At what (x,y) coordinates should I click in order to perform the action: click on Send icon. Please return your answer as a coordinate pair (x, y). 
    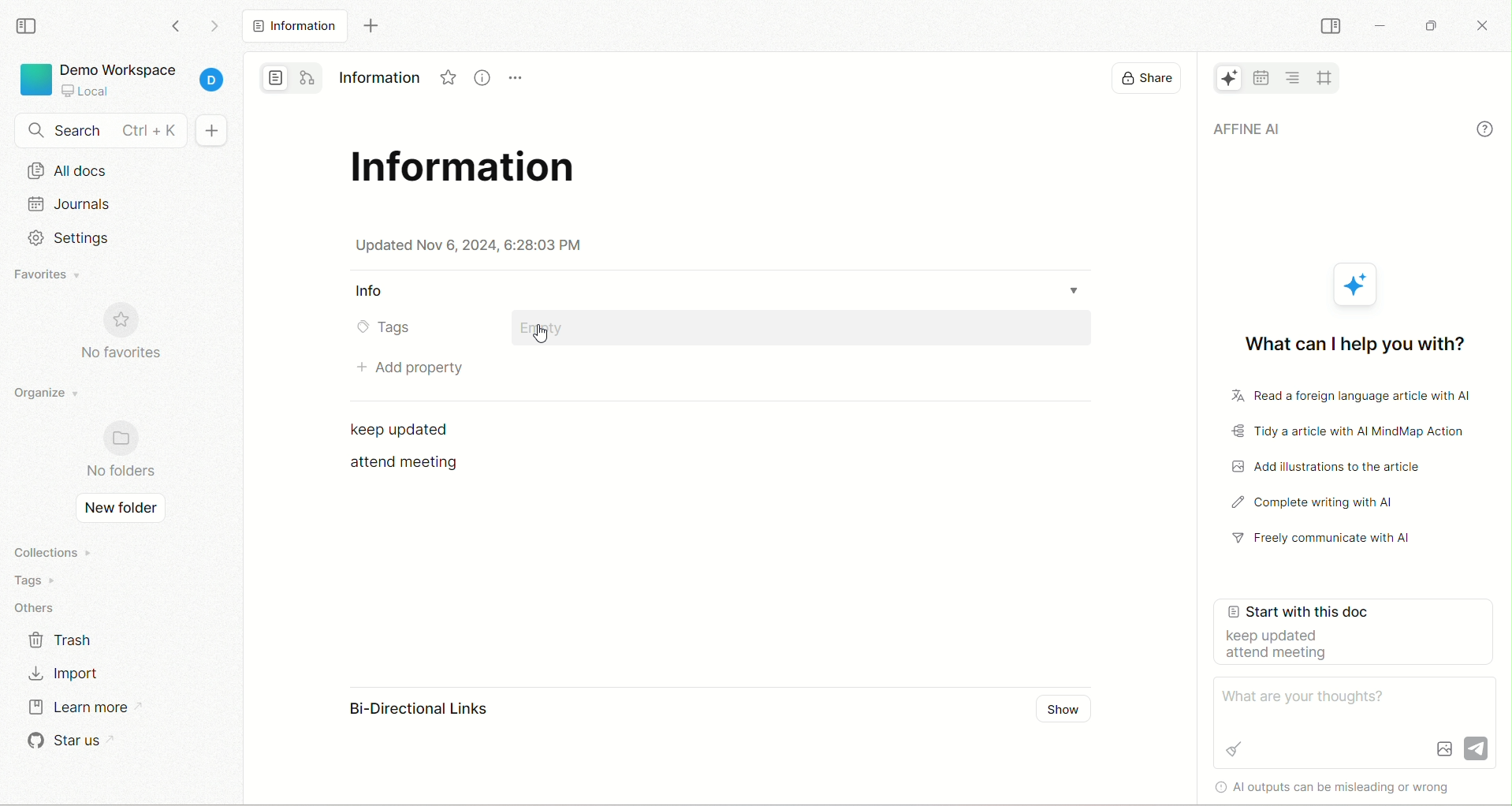
    Looking at the image, I should click on (1477, 748).